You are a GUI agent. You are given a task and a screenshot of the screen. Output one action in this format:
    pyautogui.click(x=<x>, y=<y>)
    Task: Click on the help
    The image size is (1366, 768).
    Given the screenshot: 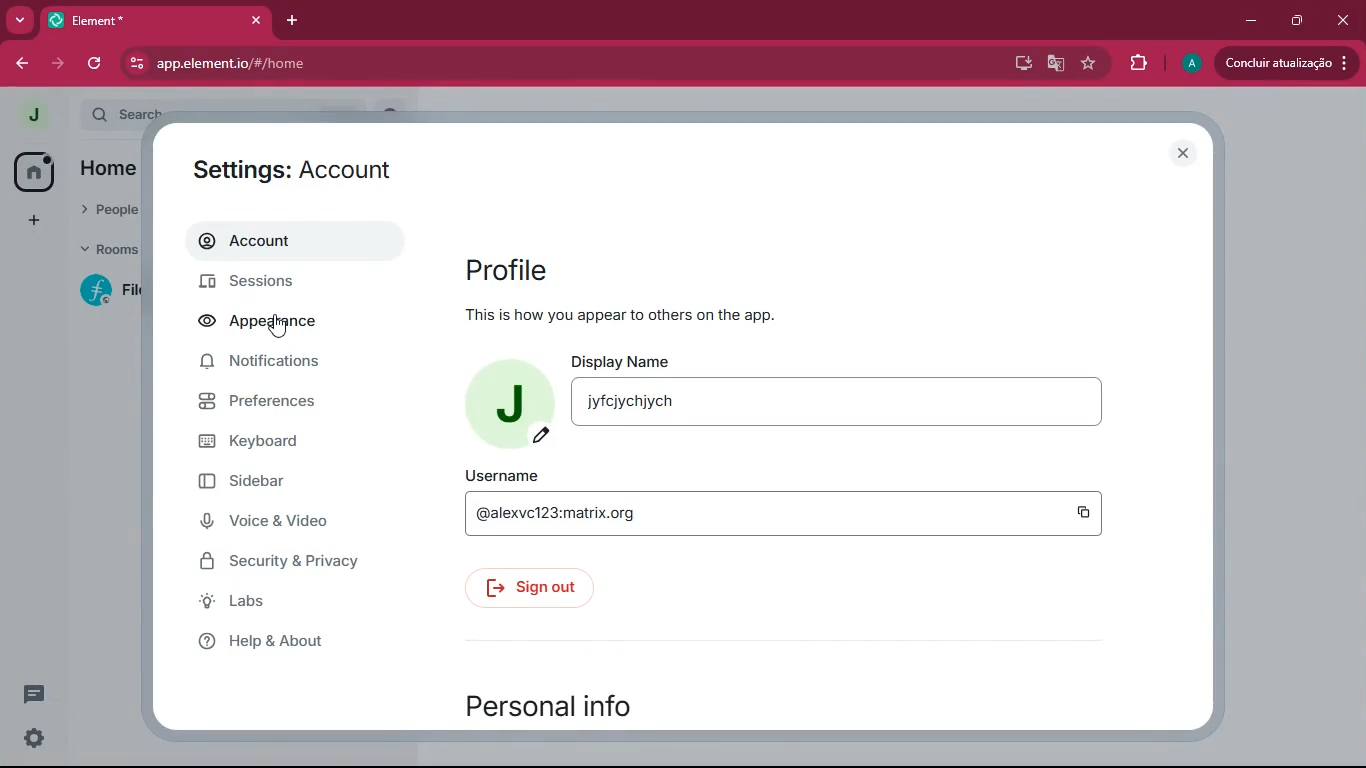 What is the action you would take?
    pyautogui.click(x=293, y=641)
    